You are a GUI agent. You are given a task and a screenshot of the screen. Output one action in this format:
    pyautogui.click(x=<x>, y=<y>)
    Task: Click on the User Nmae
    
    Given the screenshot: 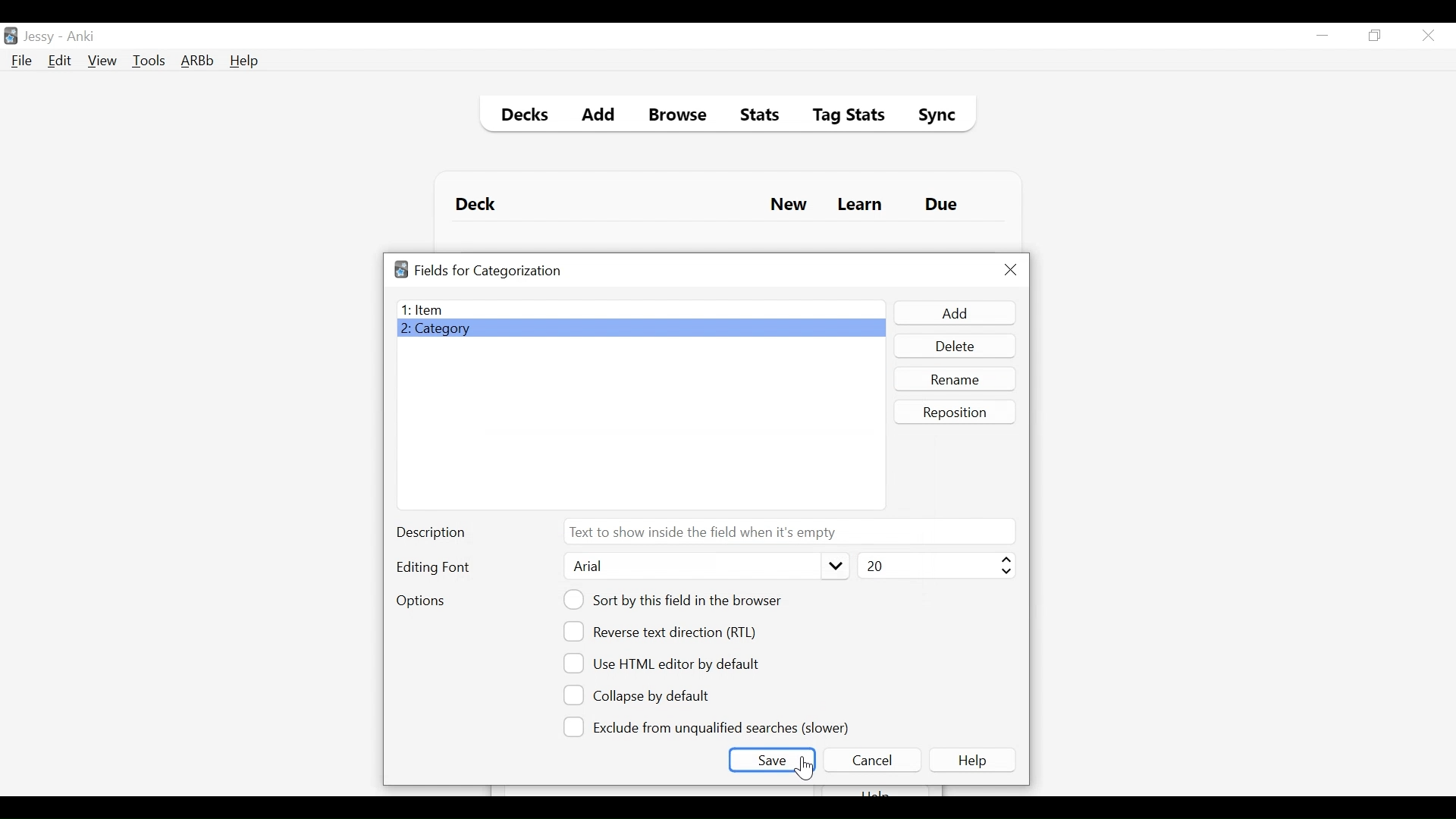 What is the action you would take?
    pyautogui.click(x=42, y=37)
    